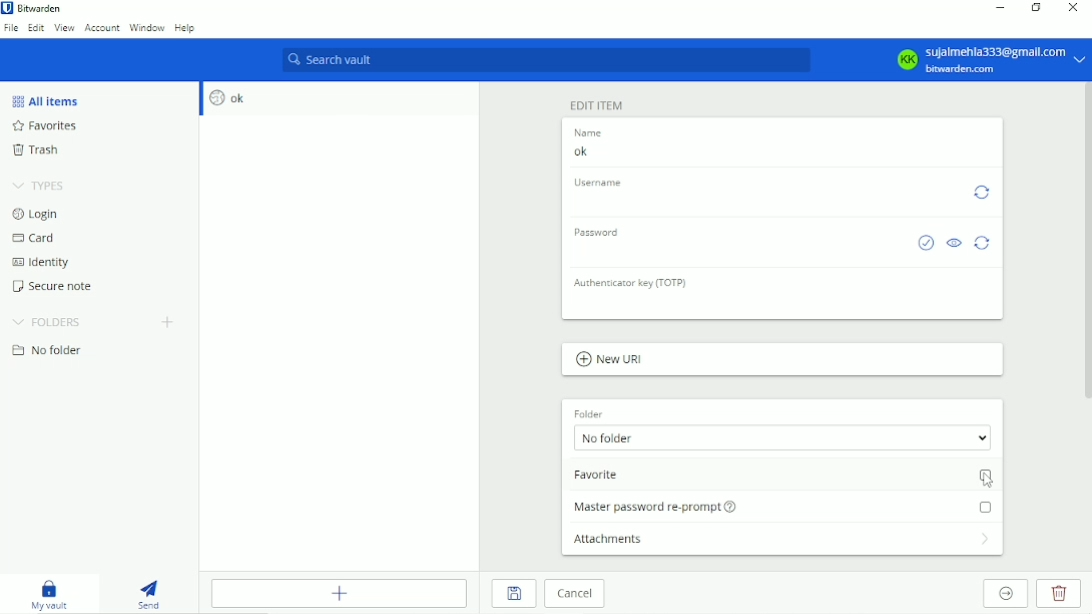  What do you see at coordinates (57, 286) in the screenshot?
I see `Secure note` at bounding box center [57, 286].